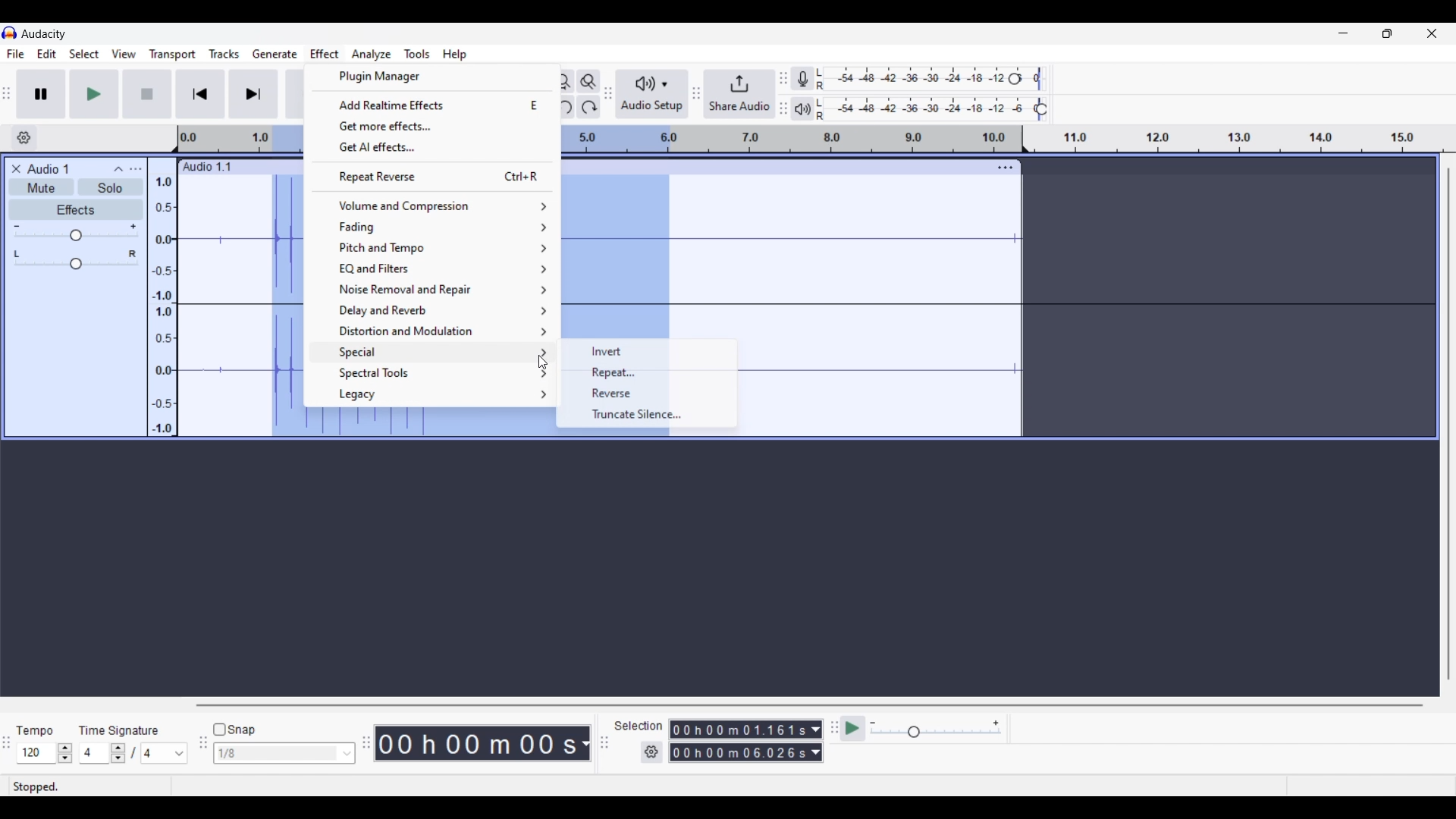  What do you see at coordinates (124, 55) in the screenshot?
I see `View menu` at bounding box center [124, 55].